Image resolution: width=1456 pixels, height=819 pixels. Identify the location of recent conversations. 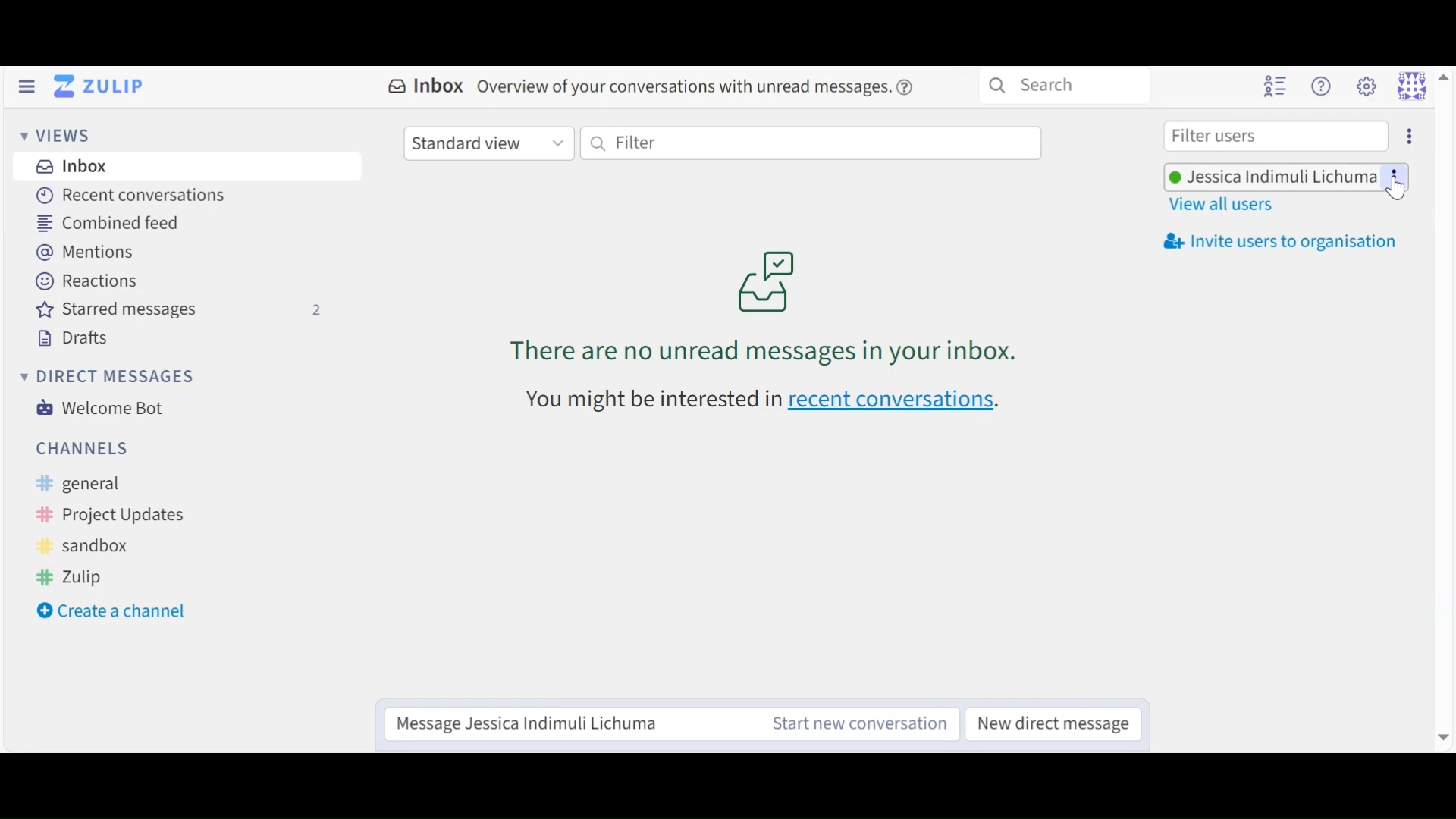
(763, 399).